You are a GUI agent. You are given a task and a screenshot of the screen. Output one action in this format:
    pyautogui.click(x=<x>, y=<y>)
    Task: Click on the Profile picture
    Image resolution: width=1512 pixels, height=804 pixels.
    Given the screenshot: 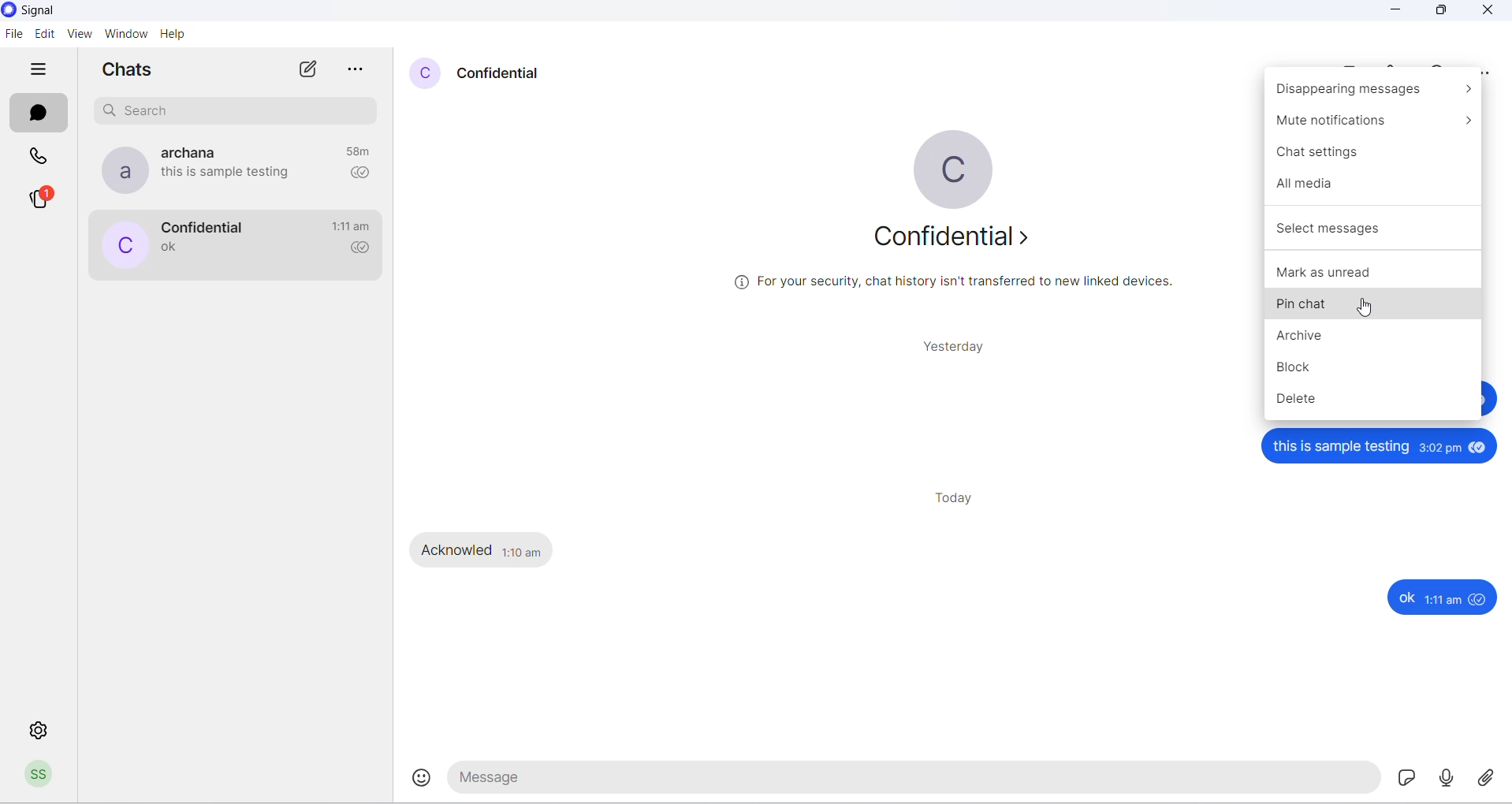 What is the action you would take?
    pyautogui.click(x=42, y=777)
    